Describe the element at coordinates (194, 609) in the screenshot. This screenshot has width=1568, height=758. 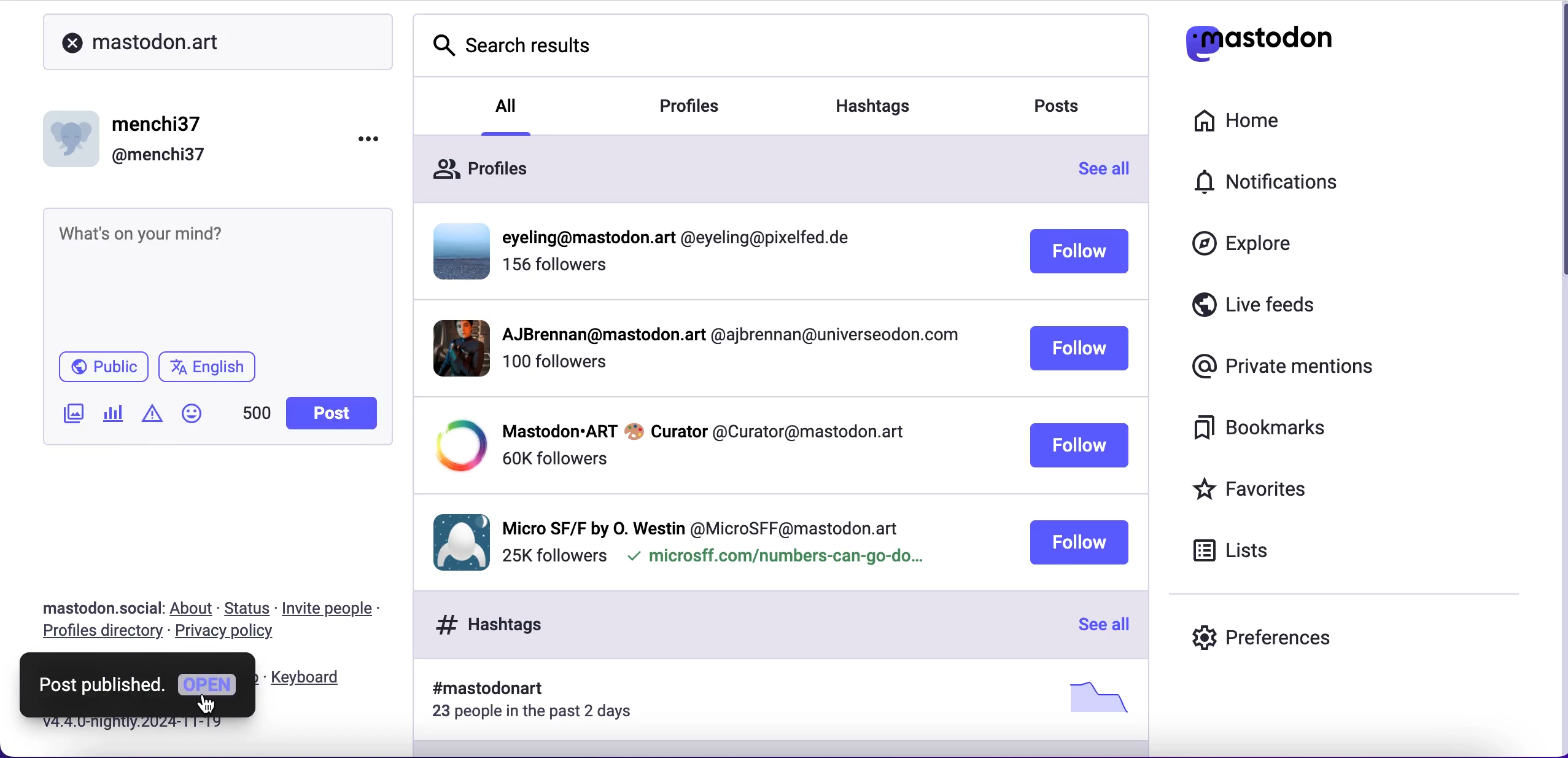
I see `about` at that location.